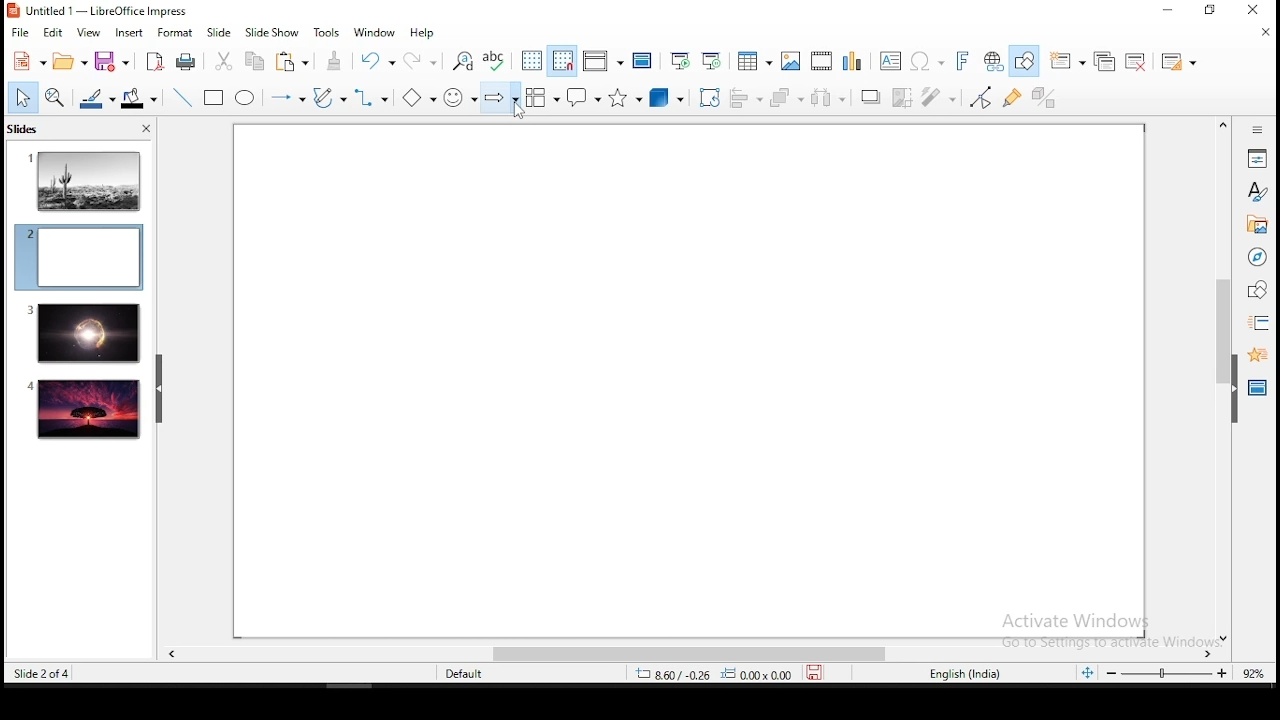  What do you see at coordinates (559, 62) in the screenshot?
I see `snap to grid` at bounding box center [559, 62].